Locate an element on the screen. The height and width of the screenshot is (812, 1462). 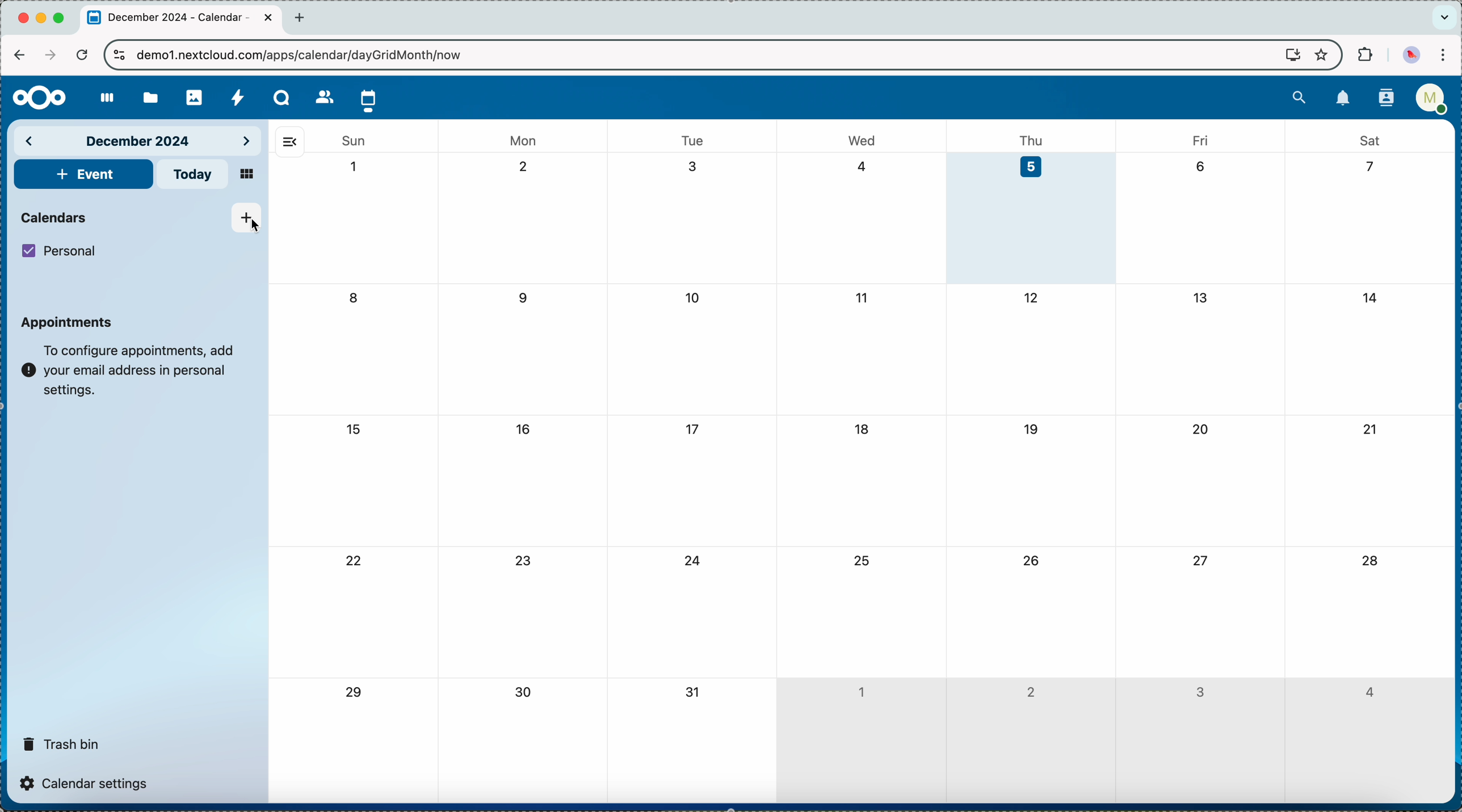
sat is located at coordinates (1369, 140).